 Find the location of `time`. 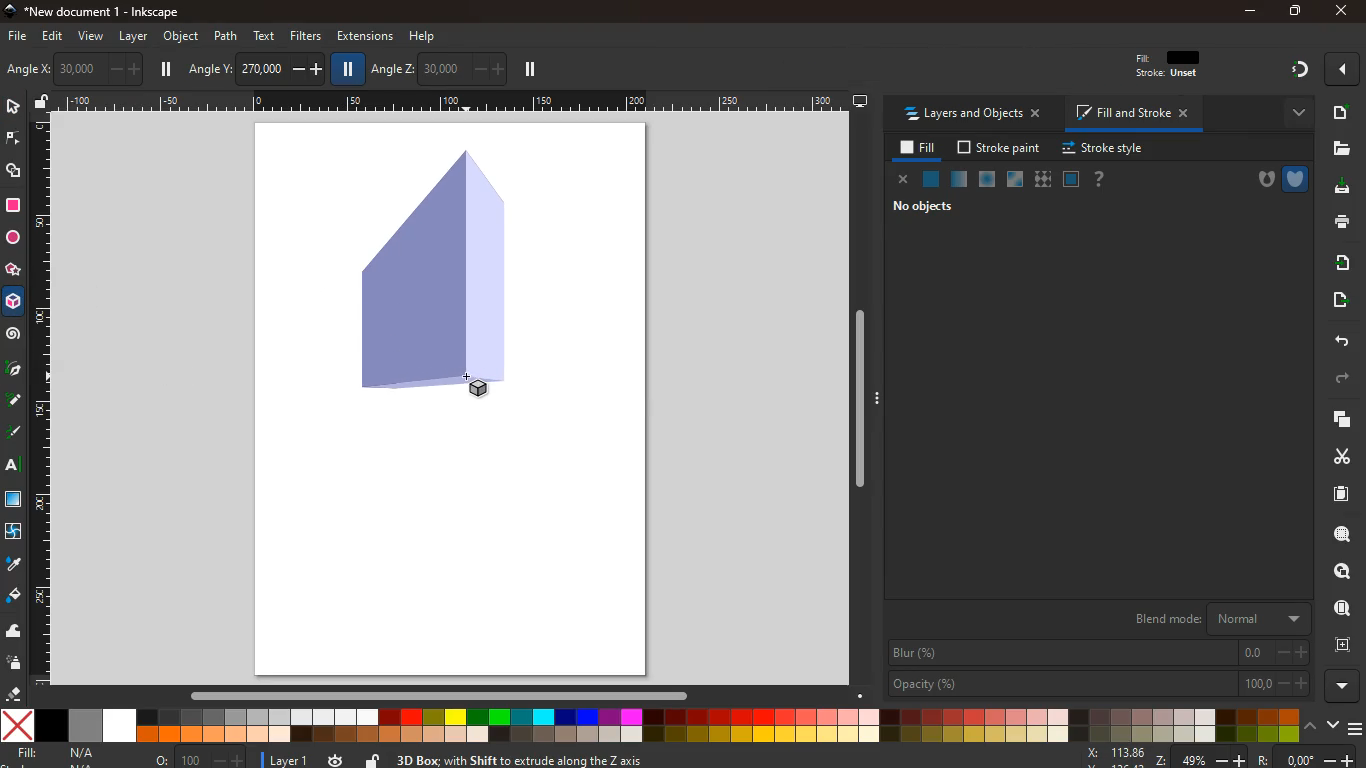

time is located at coordinates (334, 760).